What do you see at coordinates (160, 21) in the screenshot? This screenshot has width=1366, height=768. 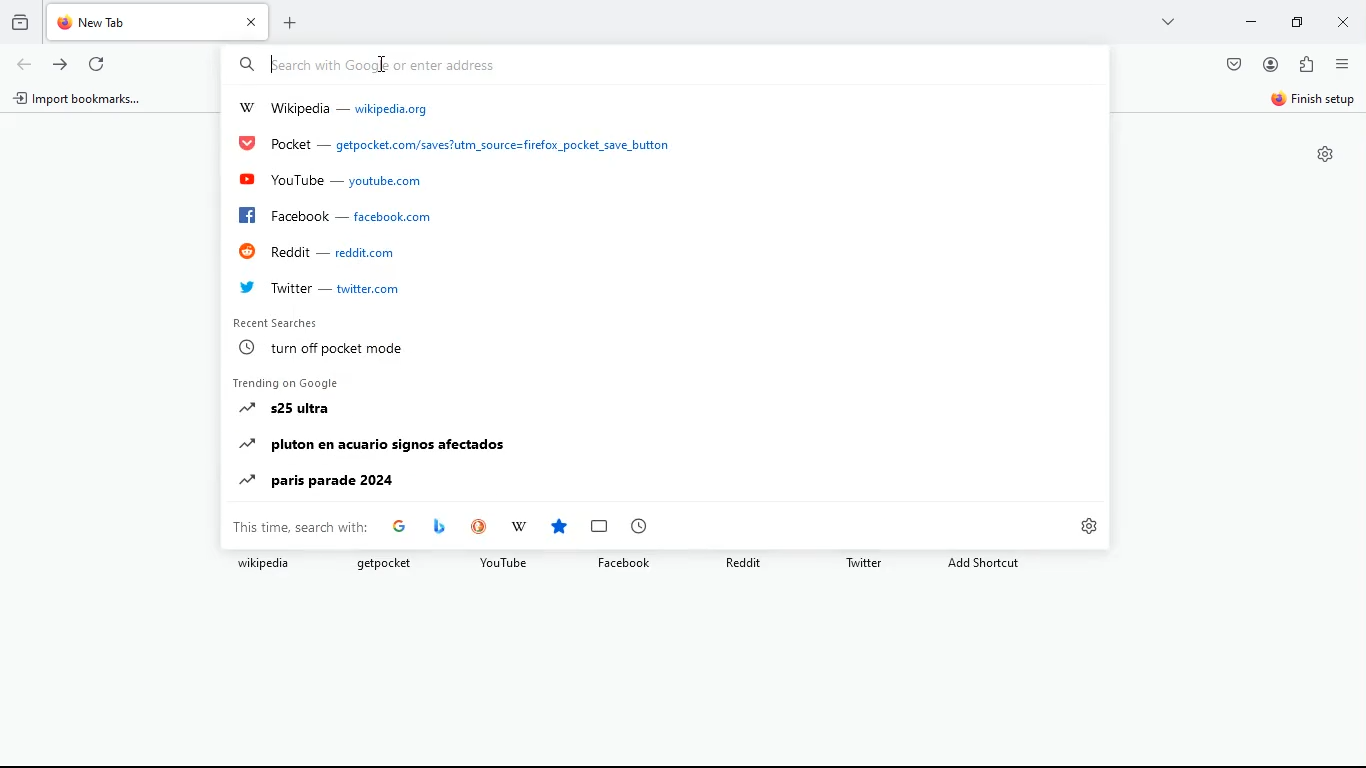 I see `tab` at bounding box center [160, 21].